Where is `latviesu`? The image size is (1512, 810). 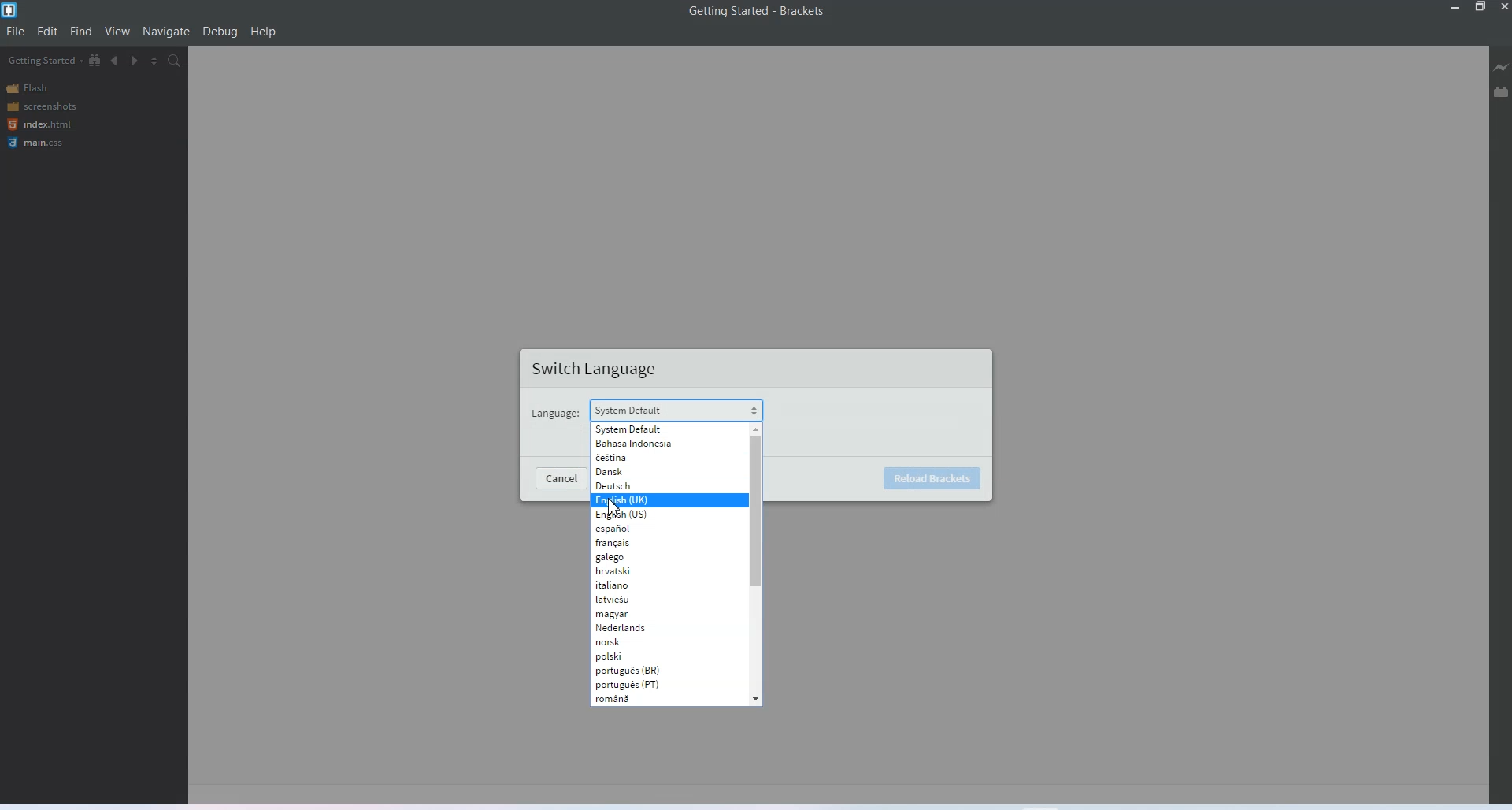
latviesu is located at coordinates (647, 600).